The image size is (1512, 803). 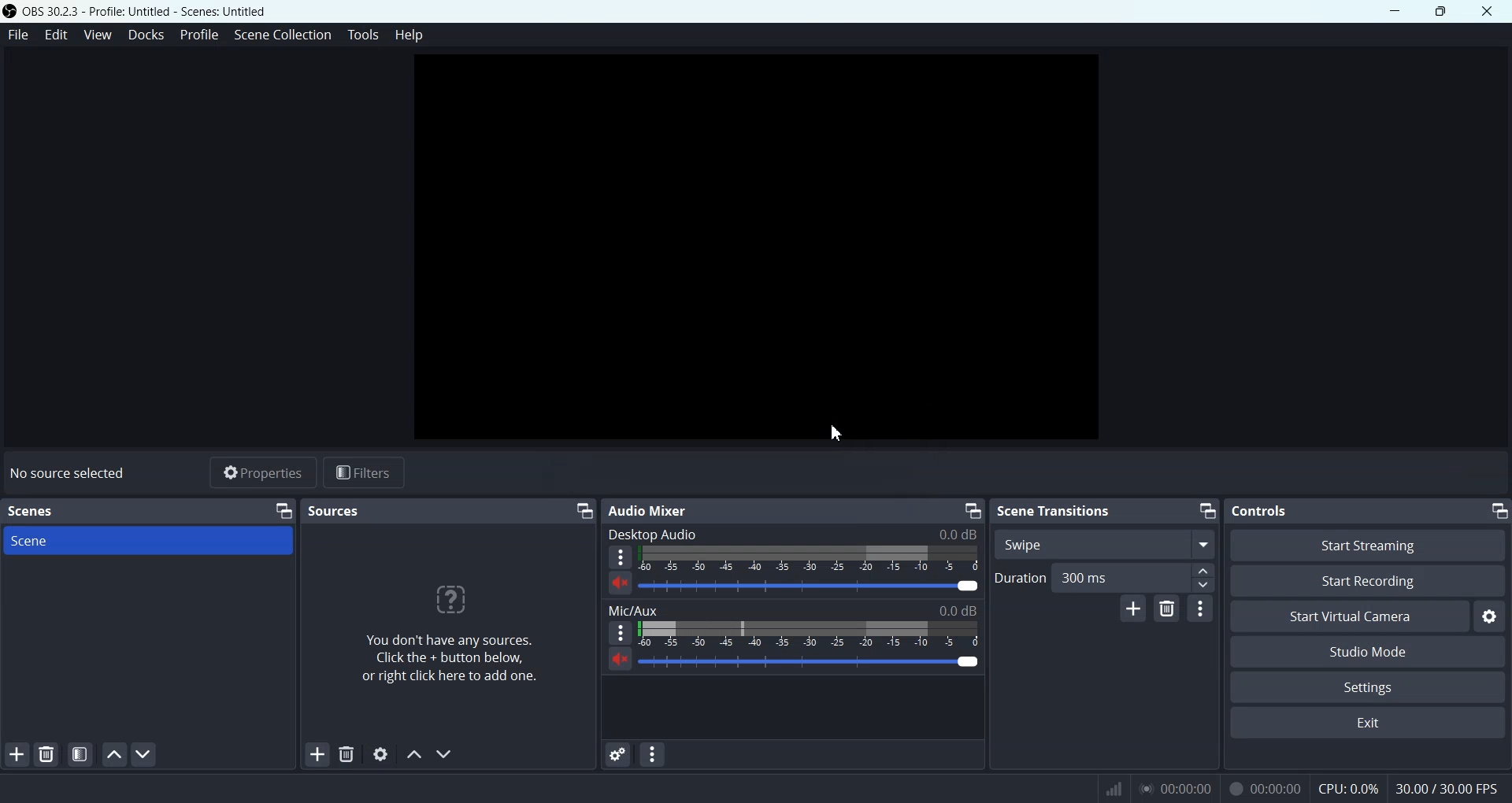 What do you see at coordinates (617, 755) in the screenshot?
I see `Advance audio properties` at bounding box center [617, 755].